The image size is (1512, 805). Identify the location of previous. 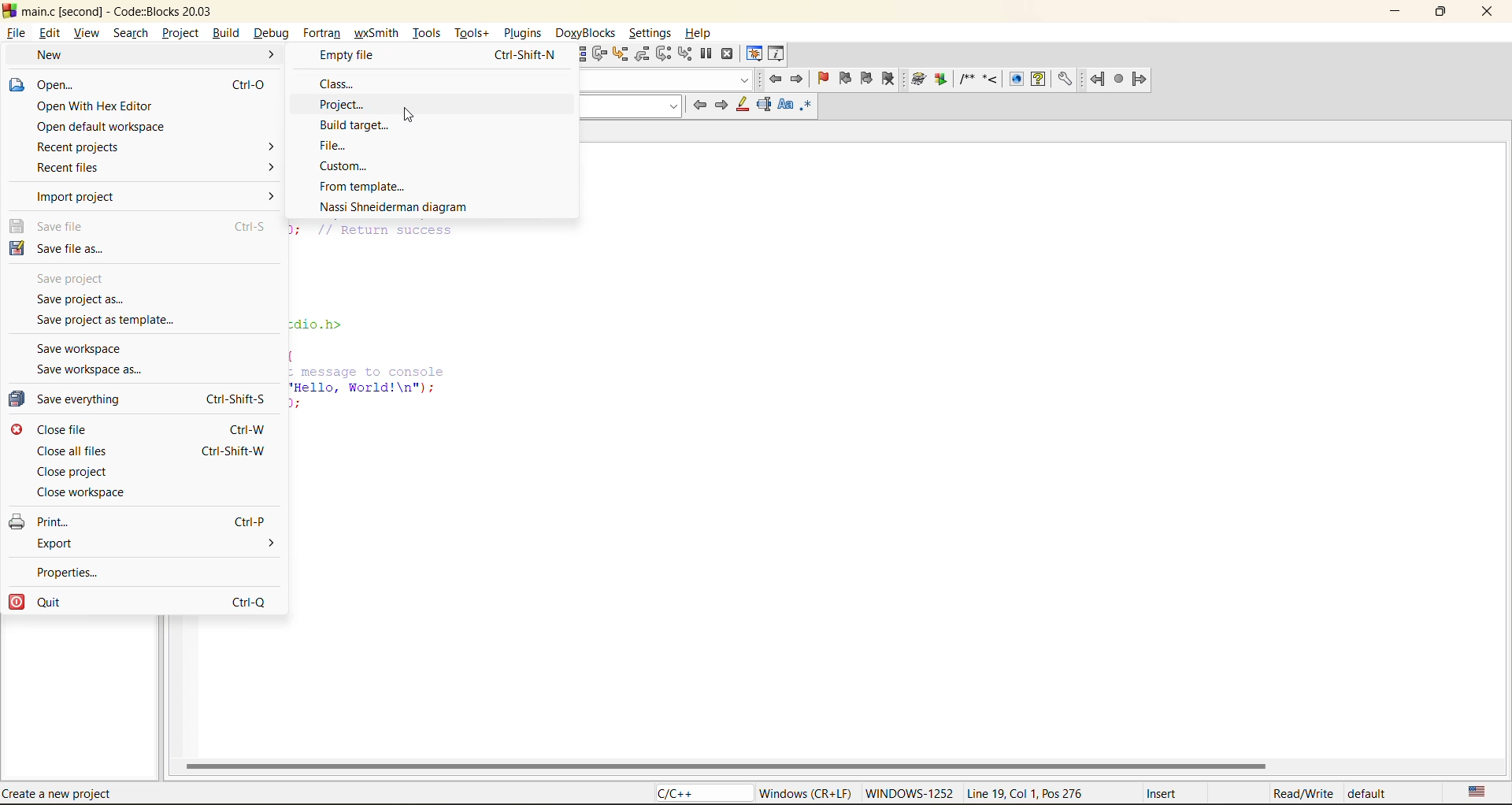
(699, 106).